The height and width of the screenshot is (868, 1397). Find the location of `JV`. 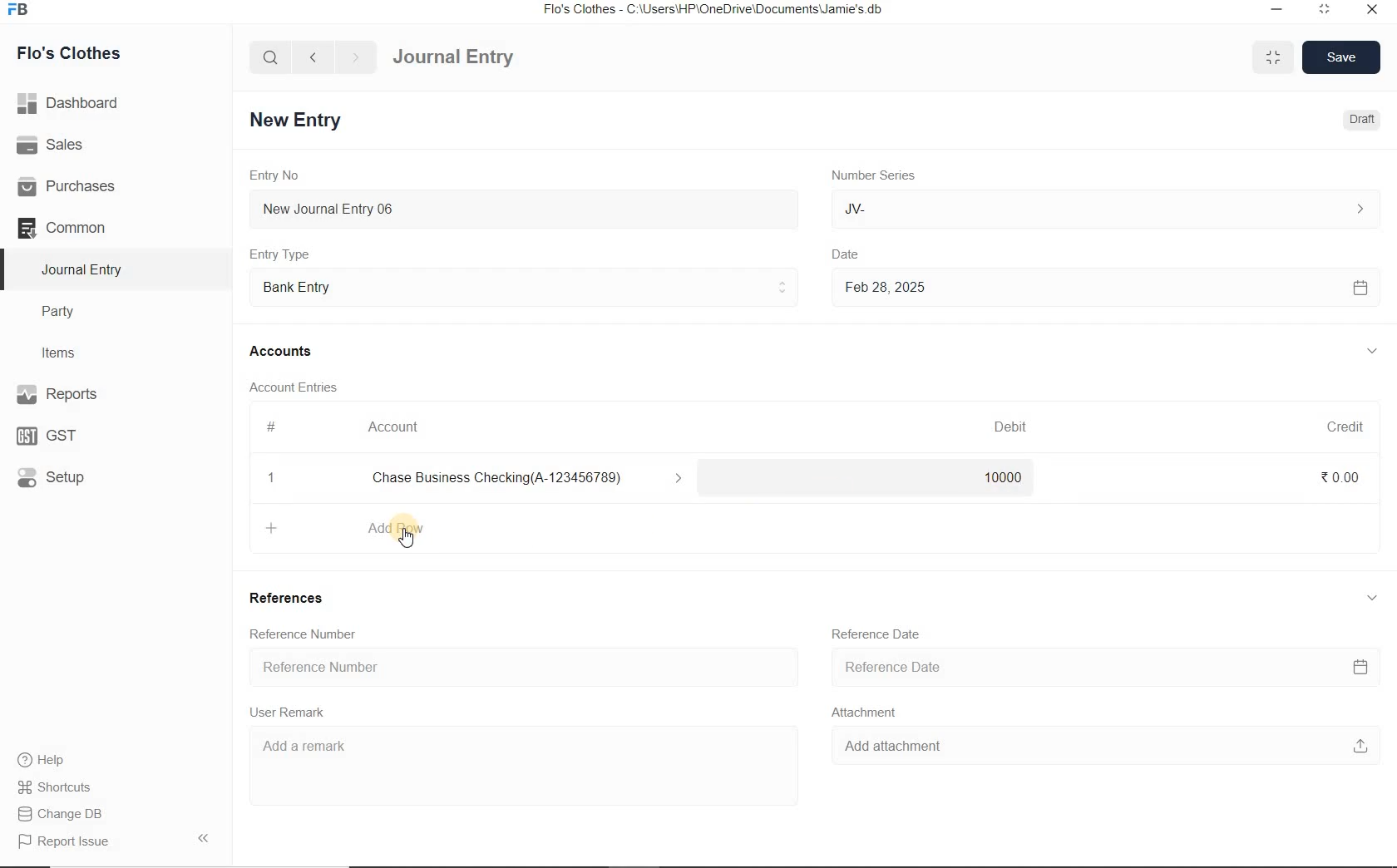

JV is located at coordinates (1102, 209).